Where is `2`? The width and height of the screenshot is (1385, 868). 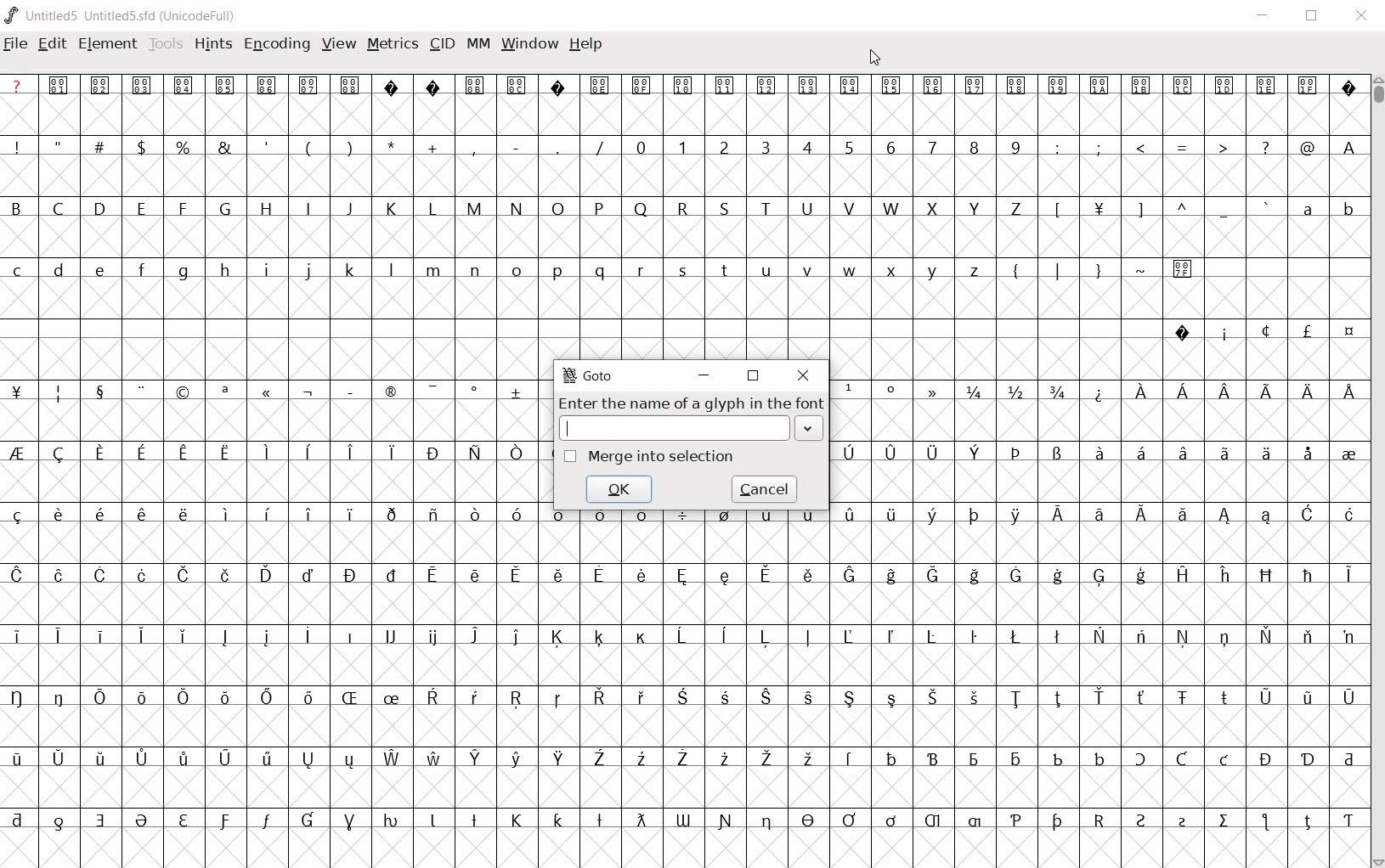 2 is located at coordinates (725, 146).